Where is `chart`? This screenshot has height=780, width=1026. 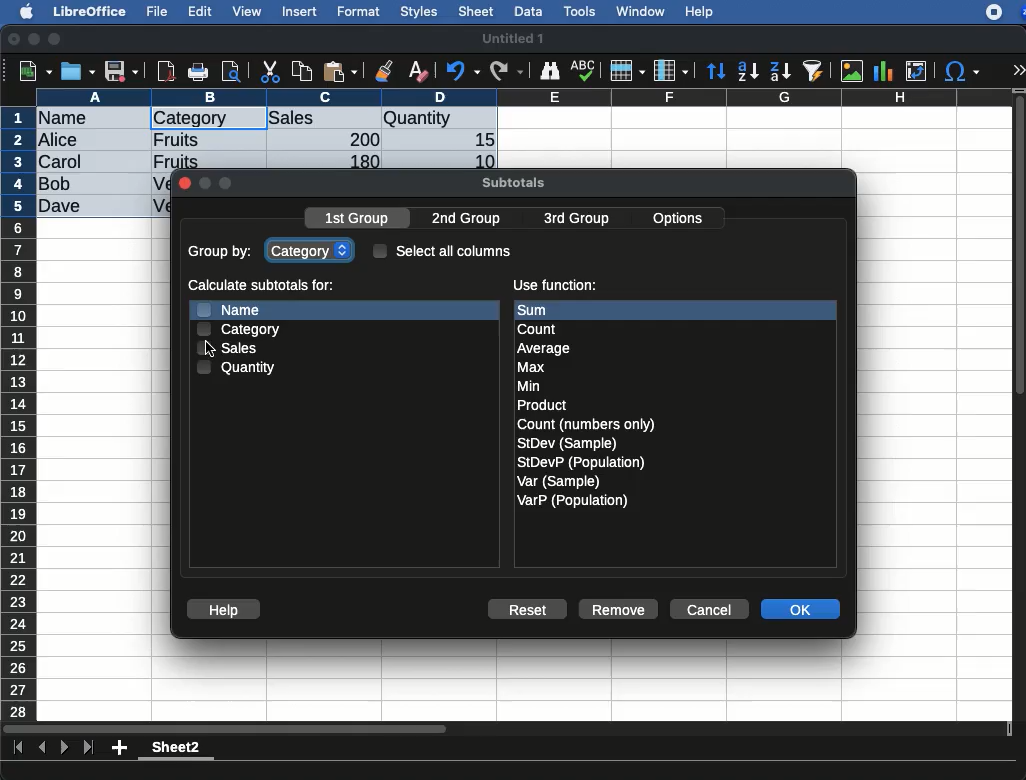
chart is located at coordinates (884, 71).